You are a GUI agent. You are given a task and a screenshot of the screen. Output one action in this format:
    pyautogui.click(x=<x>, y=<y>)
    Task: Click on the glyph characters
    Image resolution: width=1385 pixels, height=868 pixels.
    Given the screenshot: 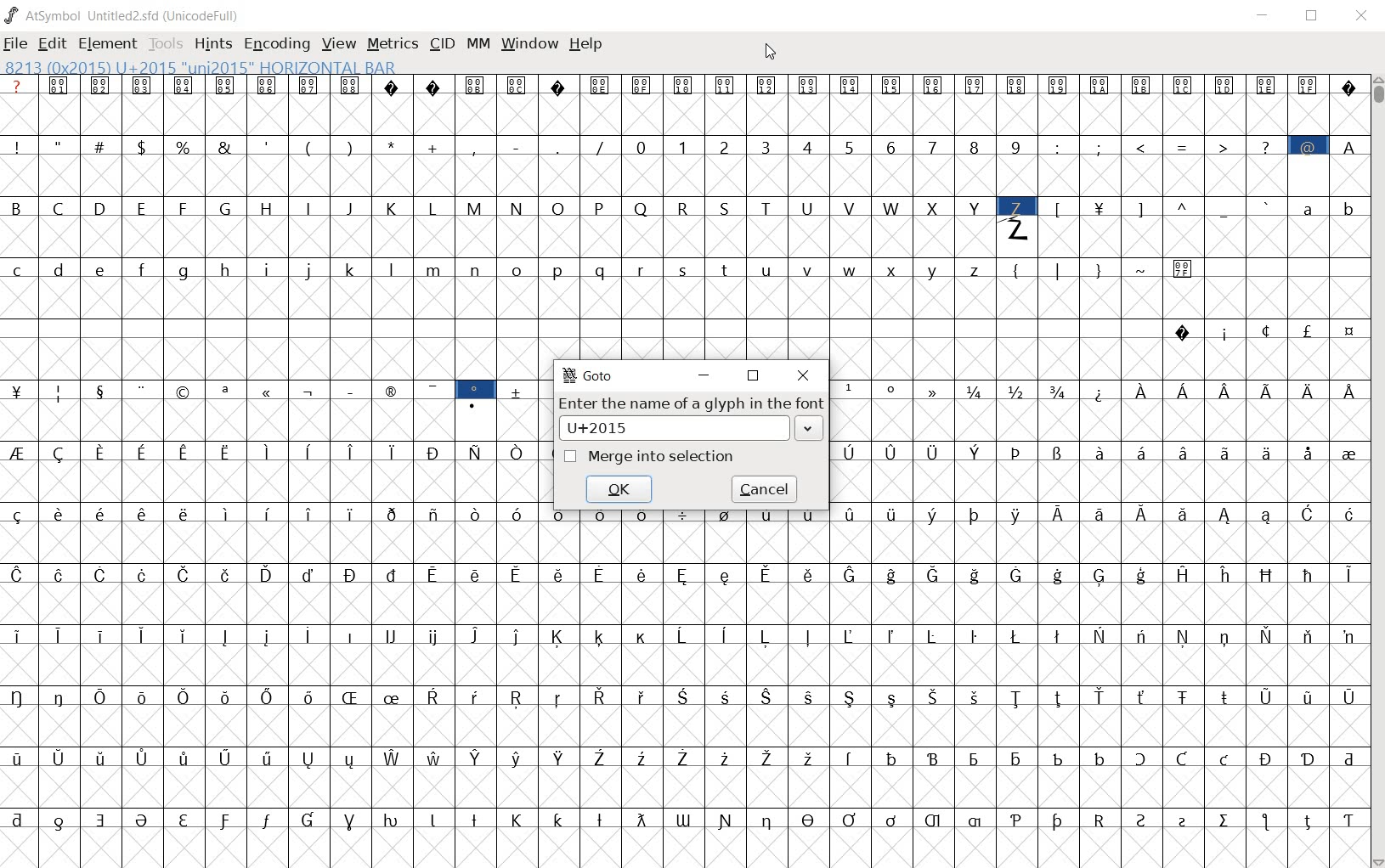 What is the action you would take?
    pyautogui.click(x=955, y=711)
    